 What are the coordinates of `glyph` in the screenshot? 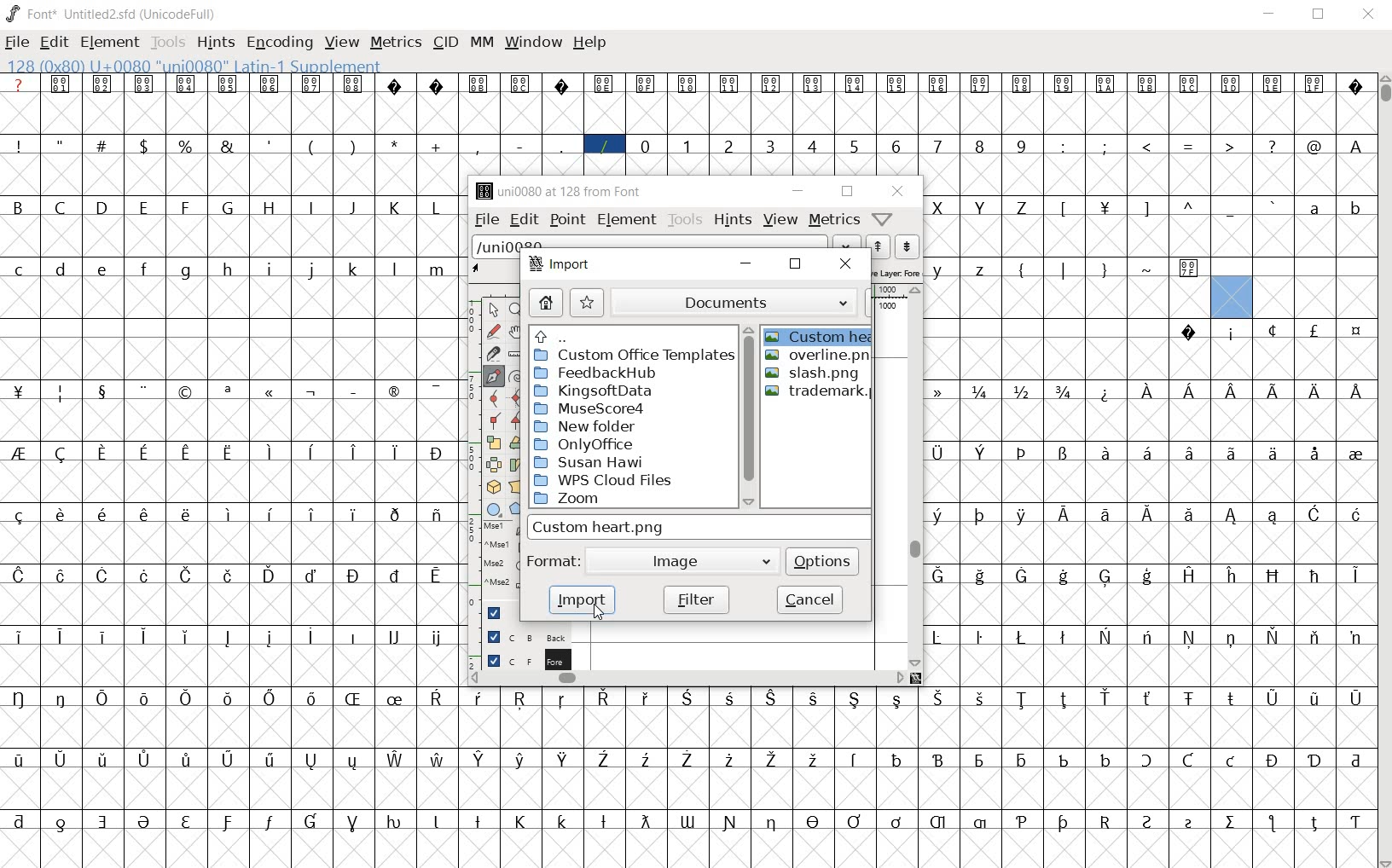 It's located at (1189, 269).